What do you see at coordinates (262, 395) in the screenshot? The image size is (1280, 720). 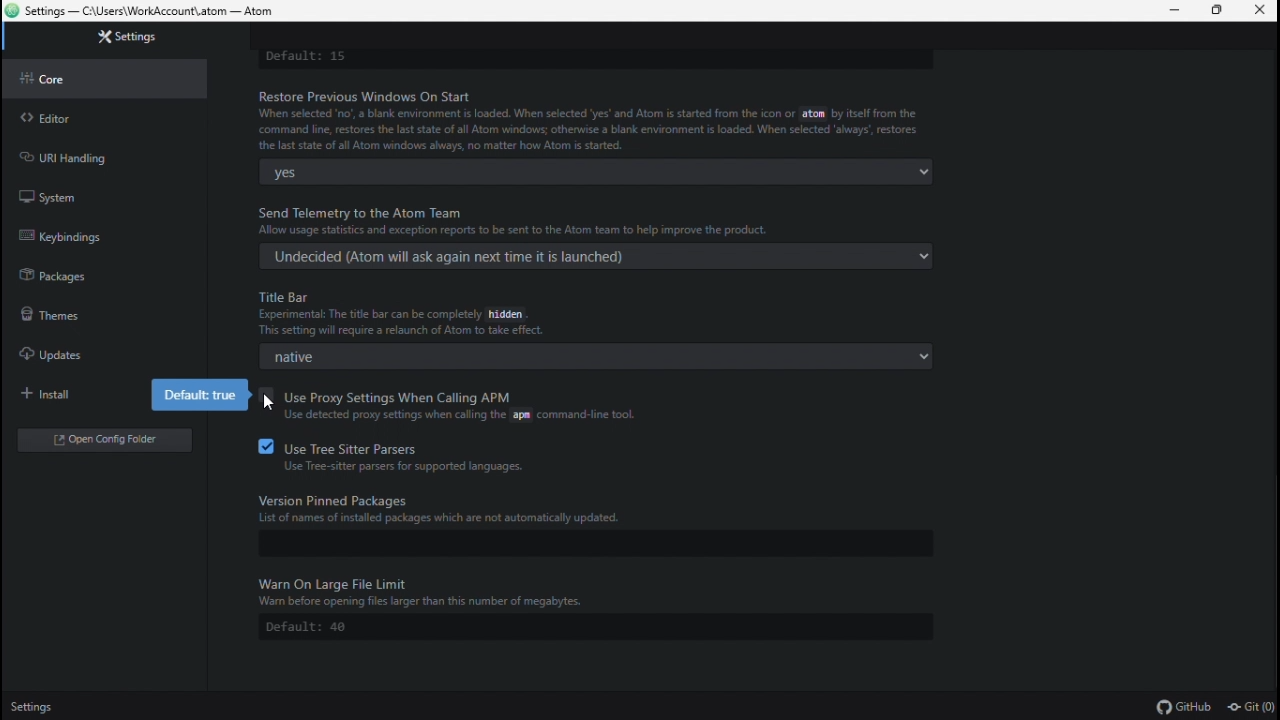 I see `checkbox` at bounding box center [262, 395].